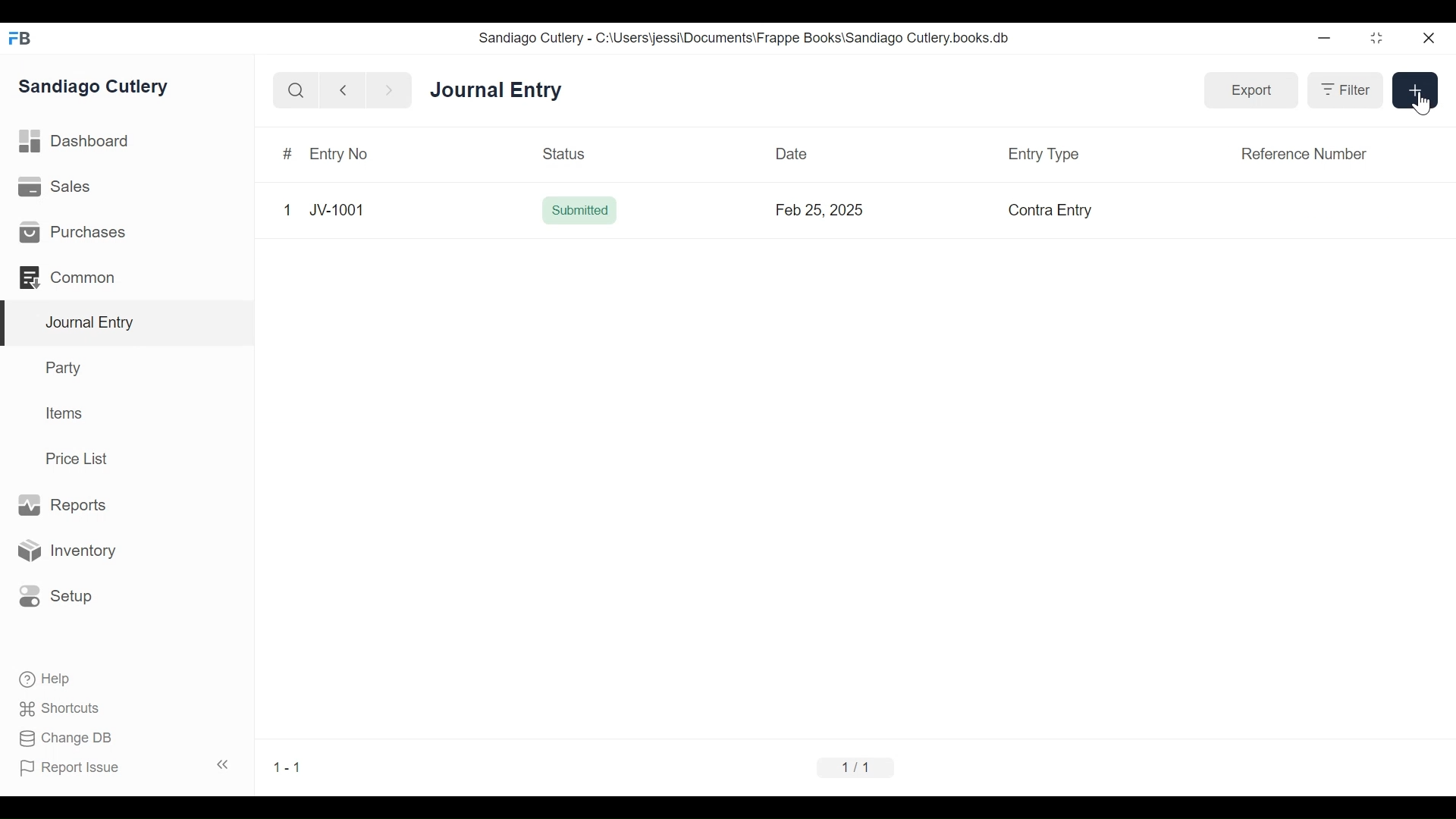 This screenshot has height=819, width=1456. I want to click on Feb 25, 2025, so click(821, 210).